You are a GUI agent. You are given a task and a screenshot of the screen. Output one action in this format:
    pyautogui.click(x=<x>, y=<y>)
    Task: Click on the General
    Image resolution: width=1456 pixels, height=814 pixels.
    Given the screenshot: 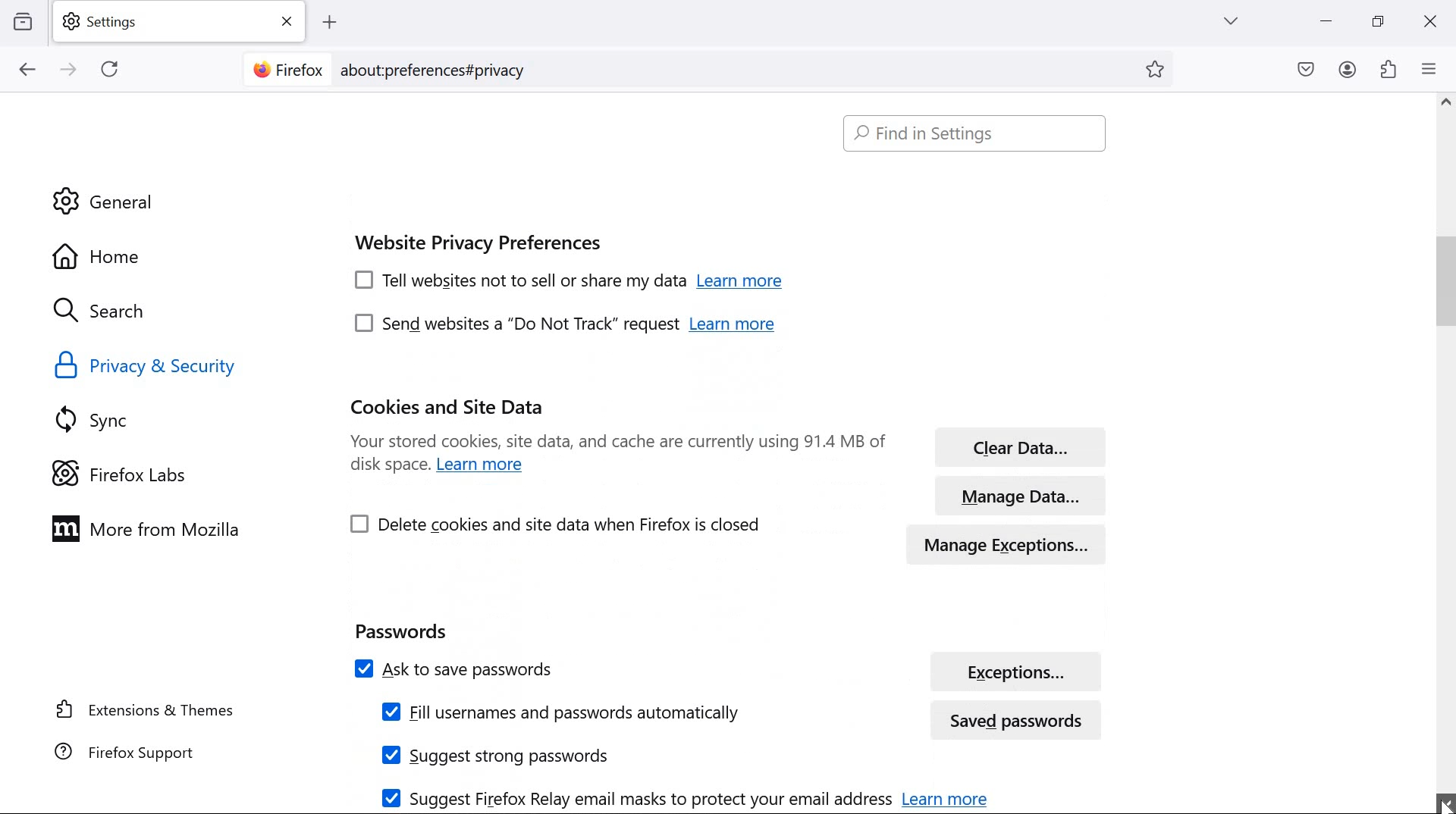 What is the action you would take?
    pyautogui.click(x=108, y=201)
    